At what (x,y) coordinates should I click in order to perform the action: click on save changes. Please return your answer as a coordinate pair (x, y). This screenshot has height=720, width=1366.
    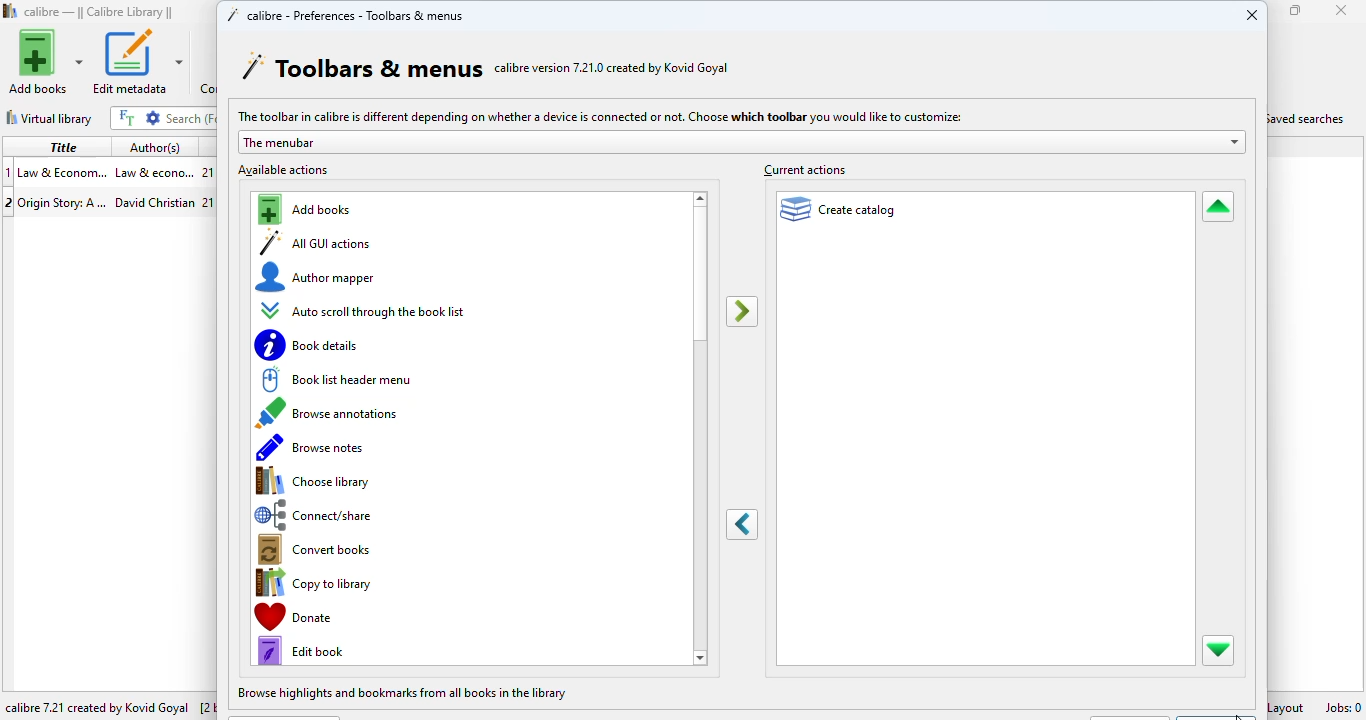
    Looking at the image, I should click on (1217, 712).